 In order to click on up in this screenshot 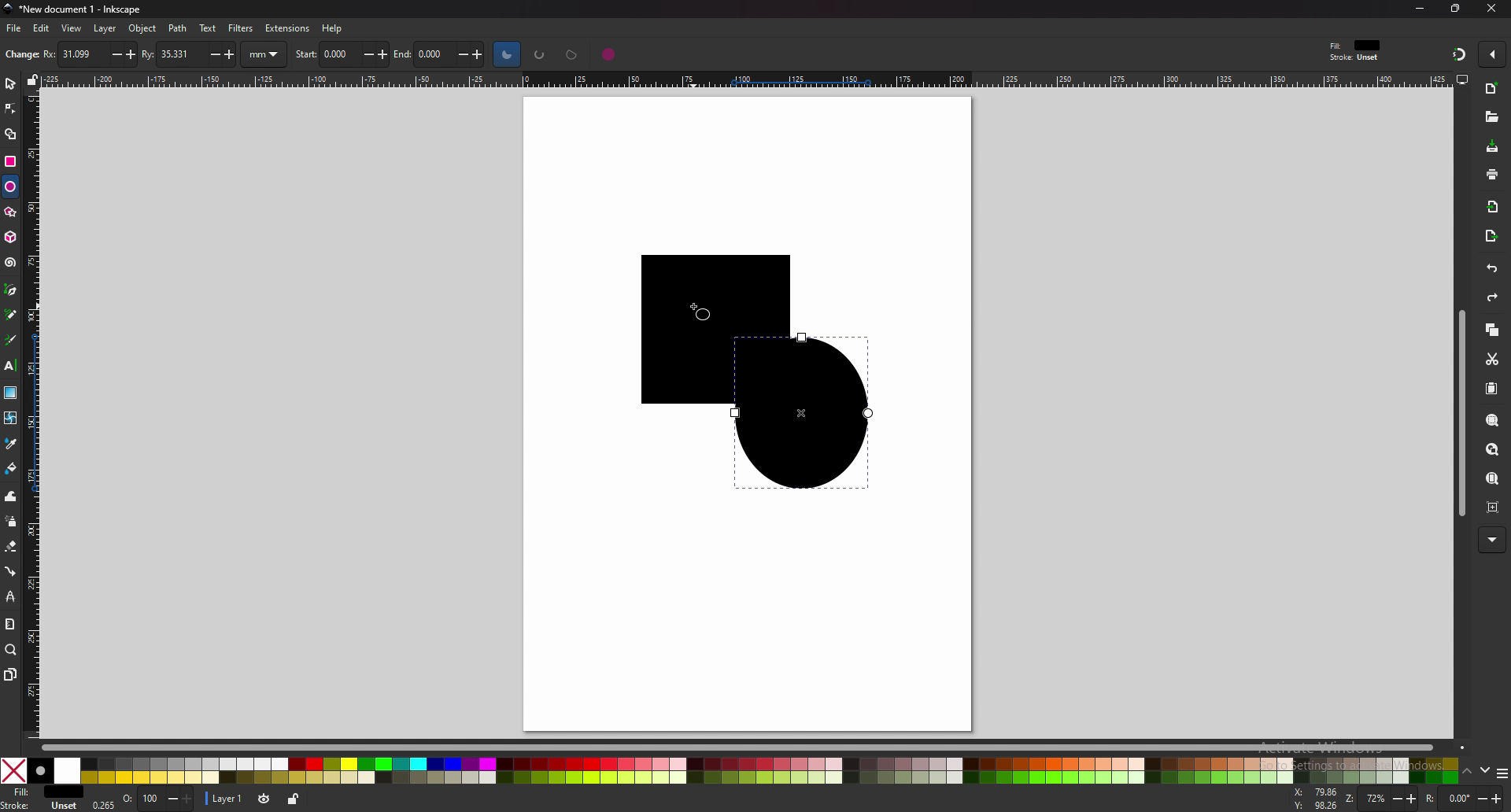, I will do `click(1469, 772)`.